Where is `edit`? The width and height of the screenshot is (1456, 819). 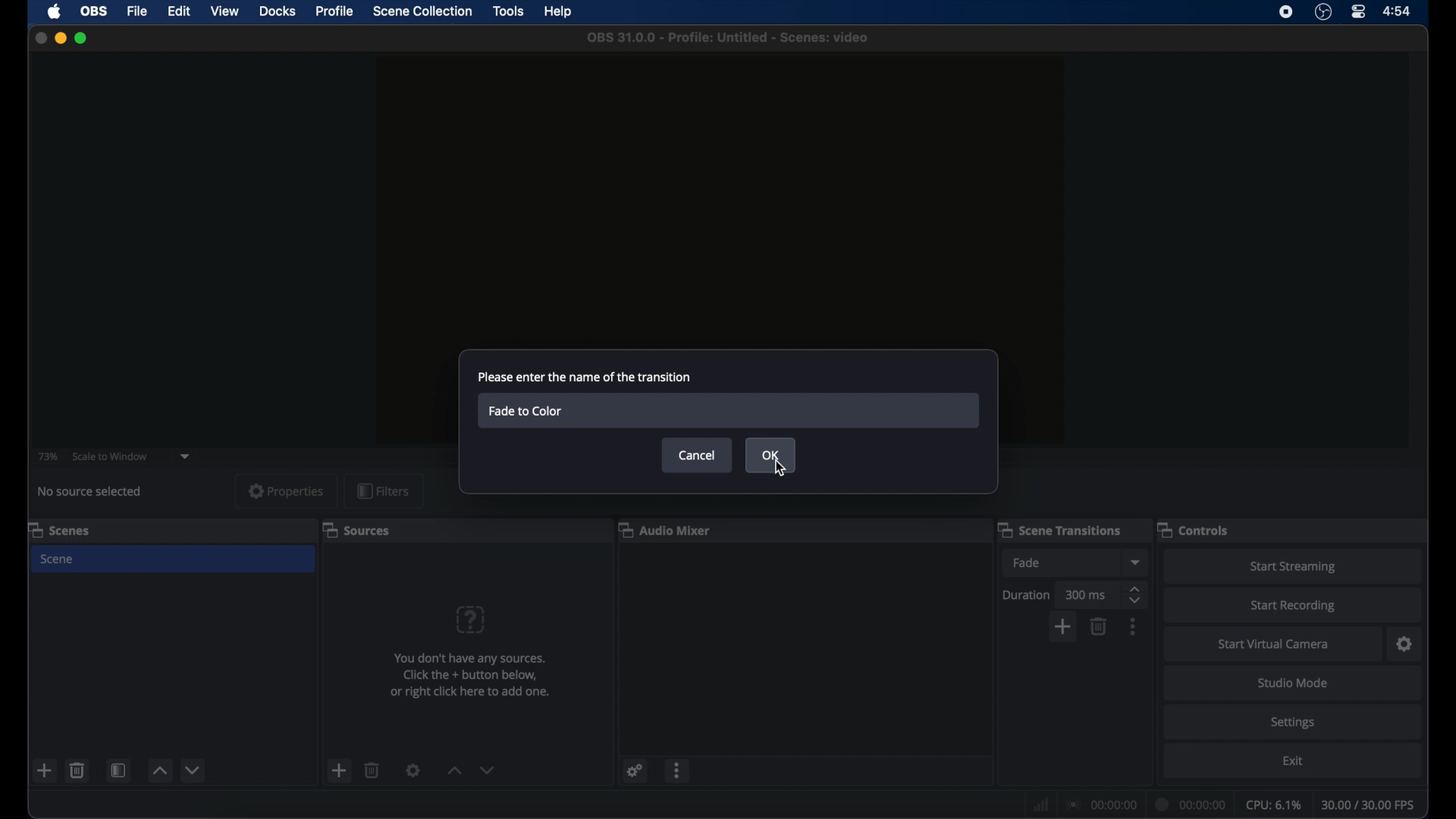
edit is located at coordinates (180, 11).